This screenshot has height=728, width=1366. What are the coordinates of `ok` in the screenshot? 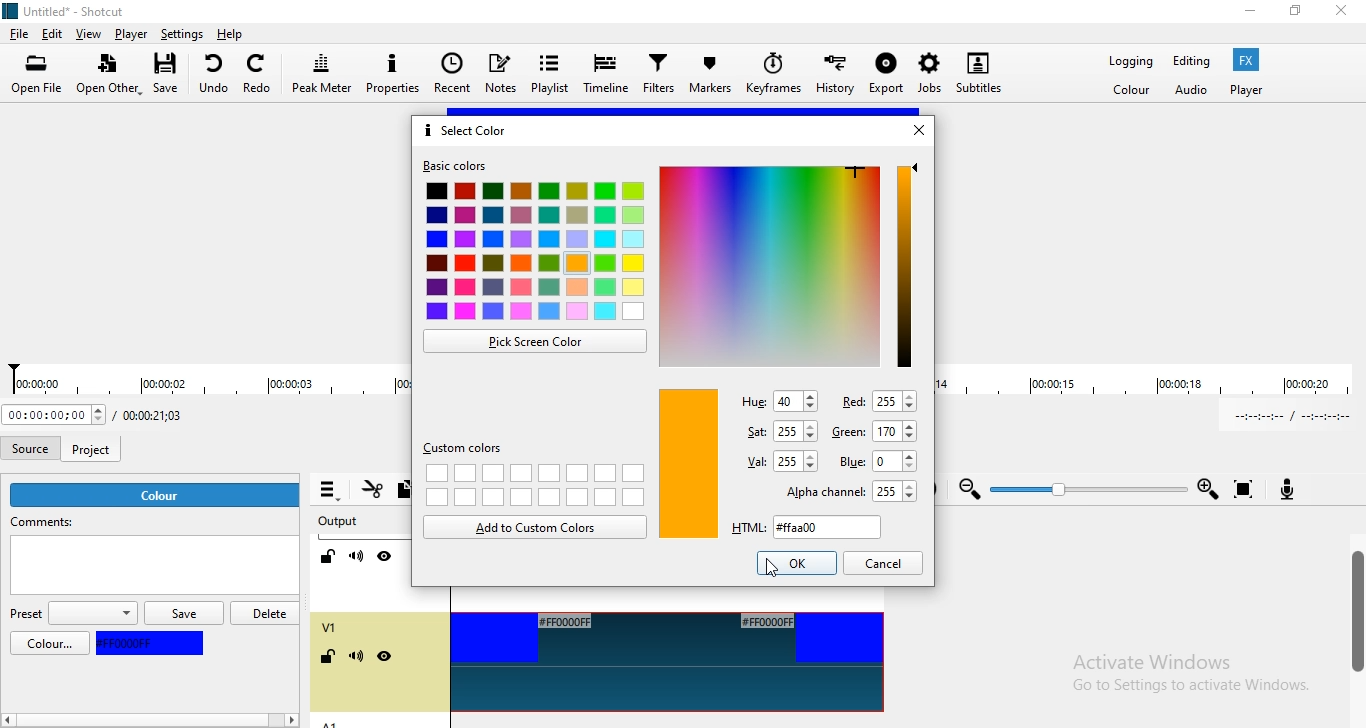 It's located at (796, 563).